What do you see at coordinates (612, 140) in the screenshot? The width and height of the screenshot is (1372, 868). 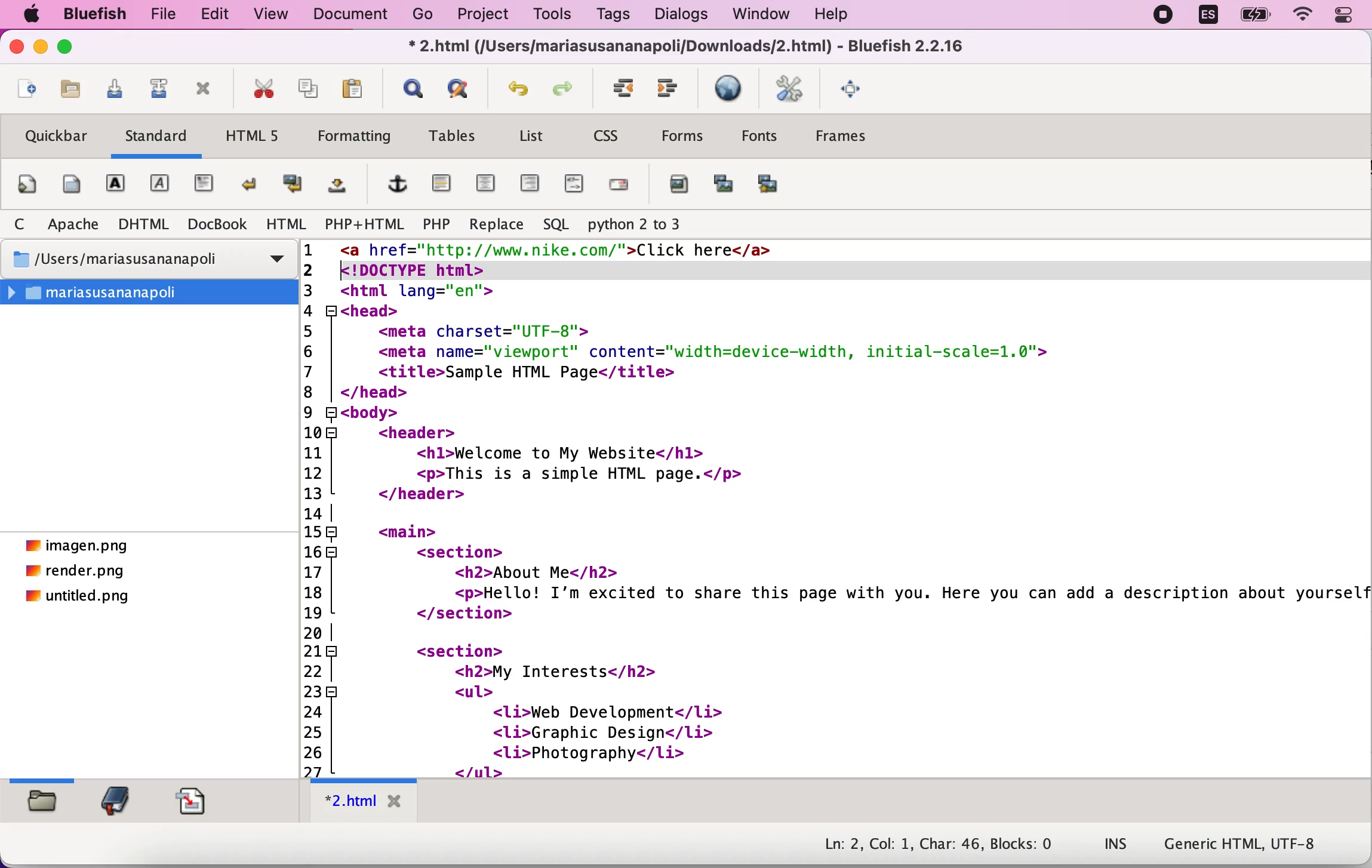 I see `css` at bounding box center [612, 140].